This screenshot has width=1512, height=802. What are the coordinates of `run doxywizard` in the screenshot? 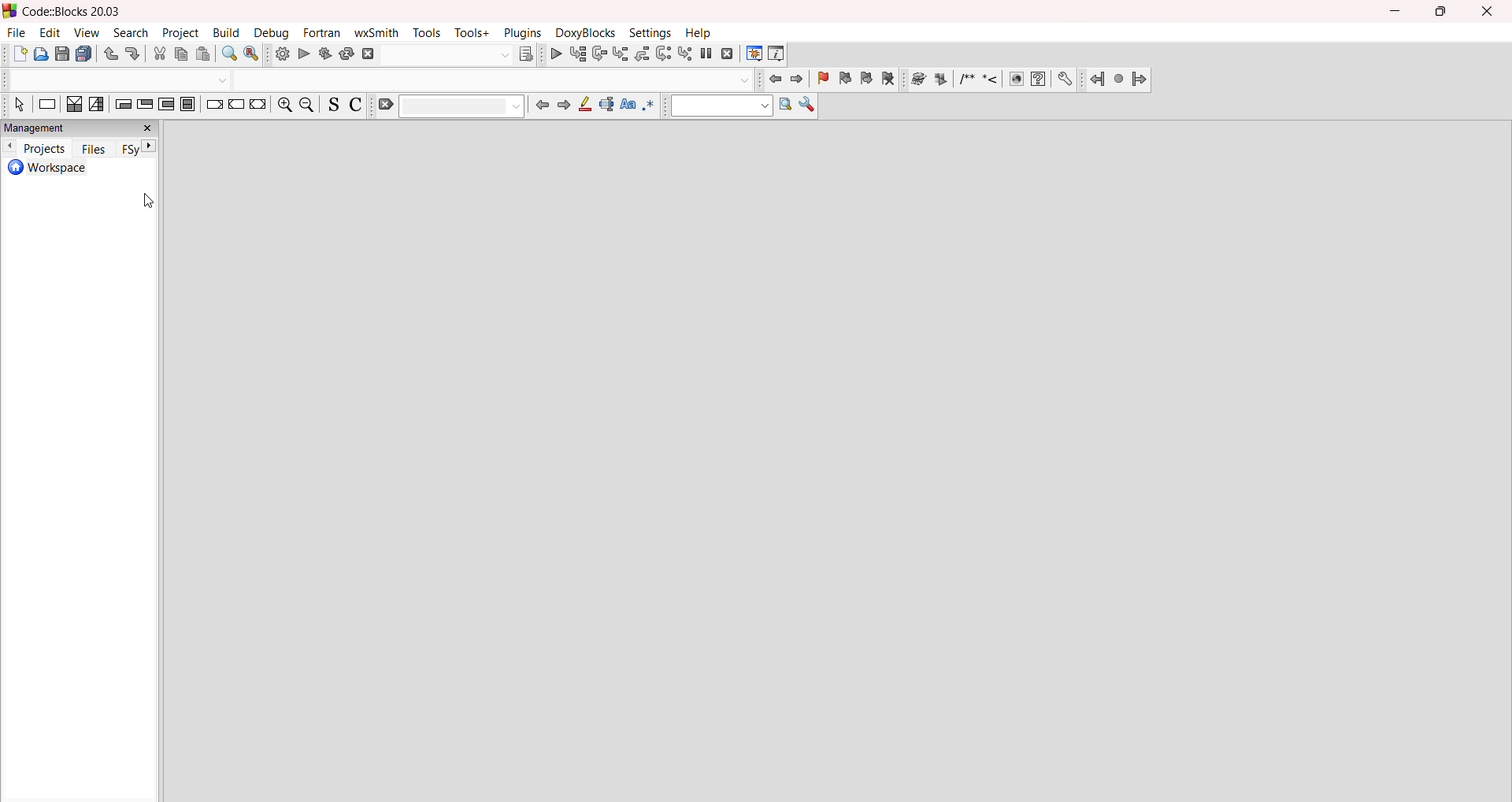 It's located at (916, 82).